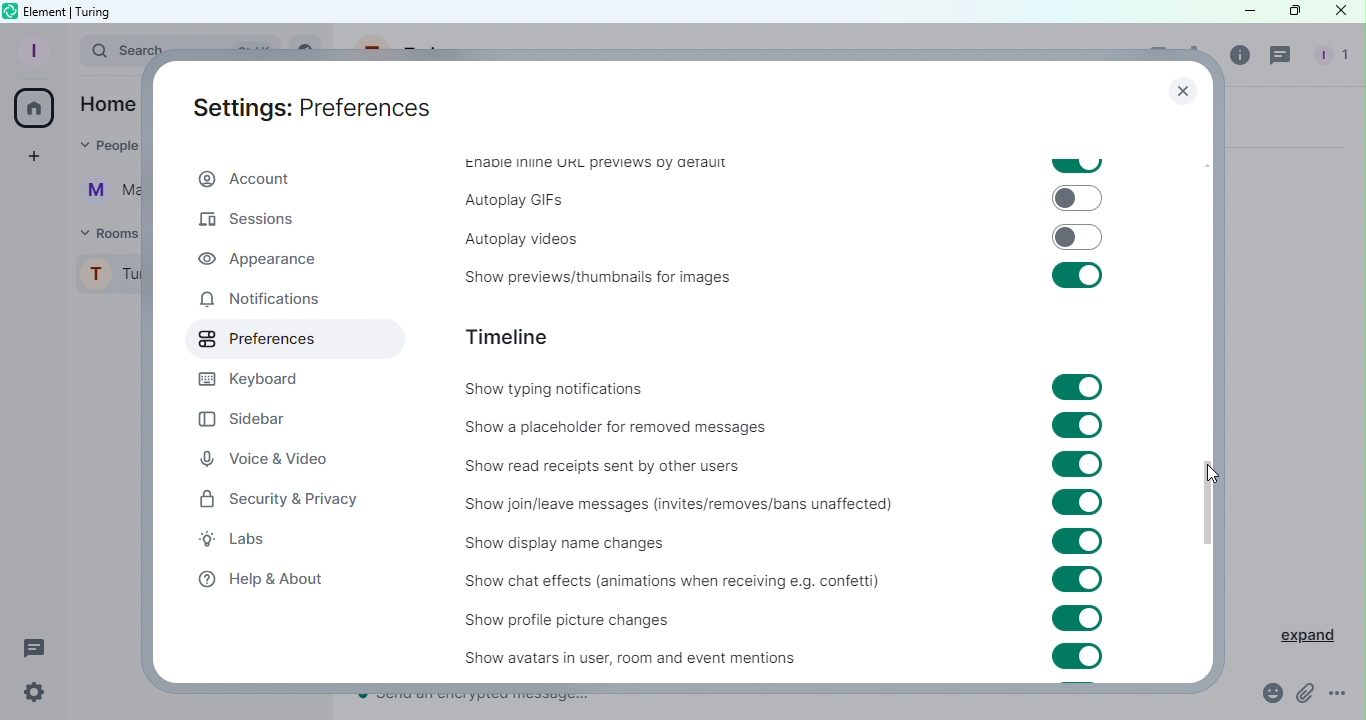 This screenshot has height=720, width=1366. What do you see at coordinates (1290, 12) in the screenshot?
I see `Maximize` at bounding box center [1290, 12].